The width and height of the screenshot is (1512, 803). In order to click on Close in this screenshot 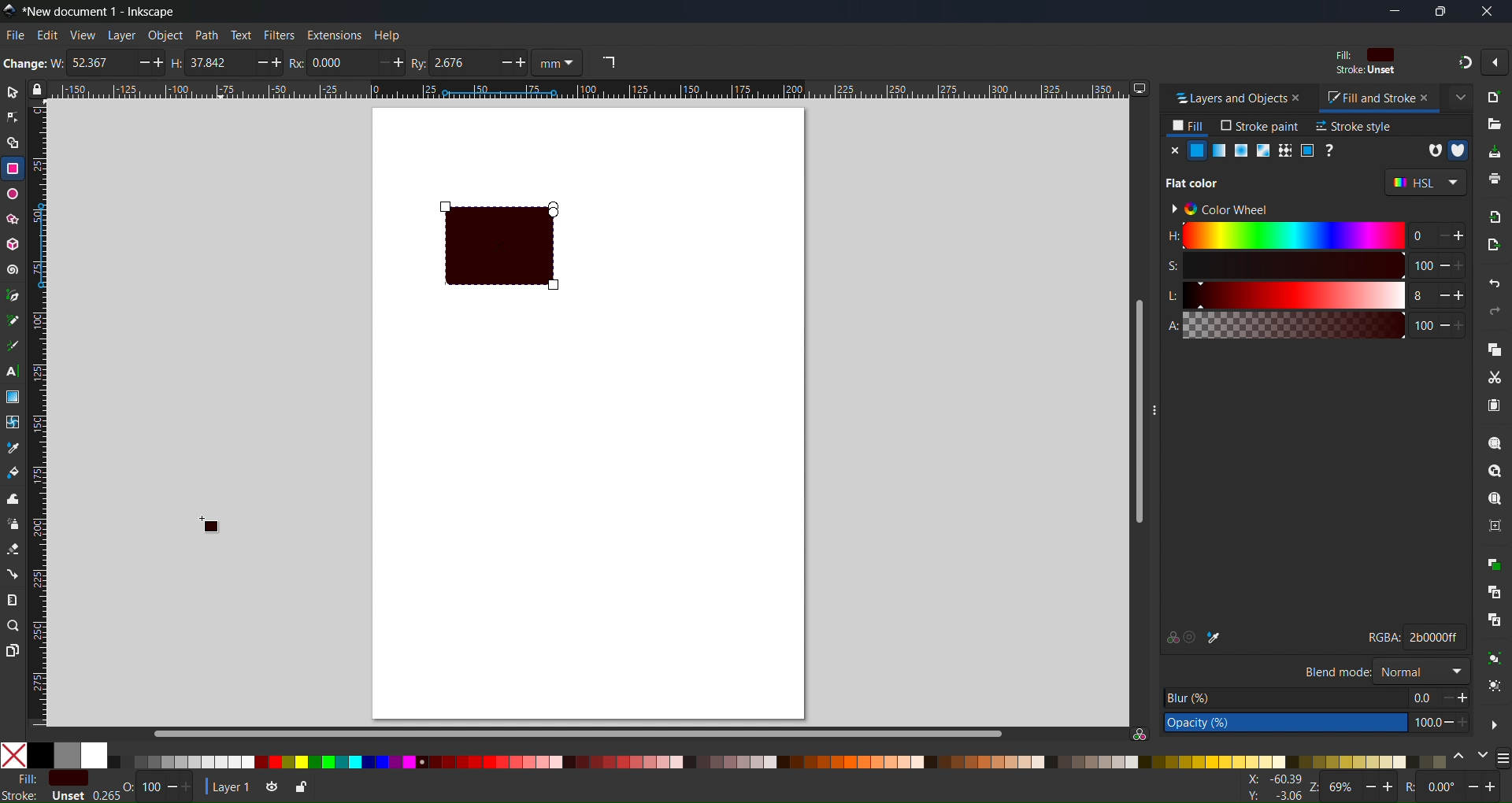, I will do `click(1173, 150)`.